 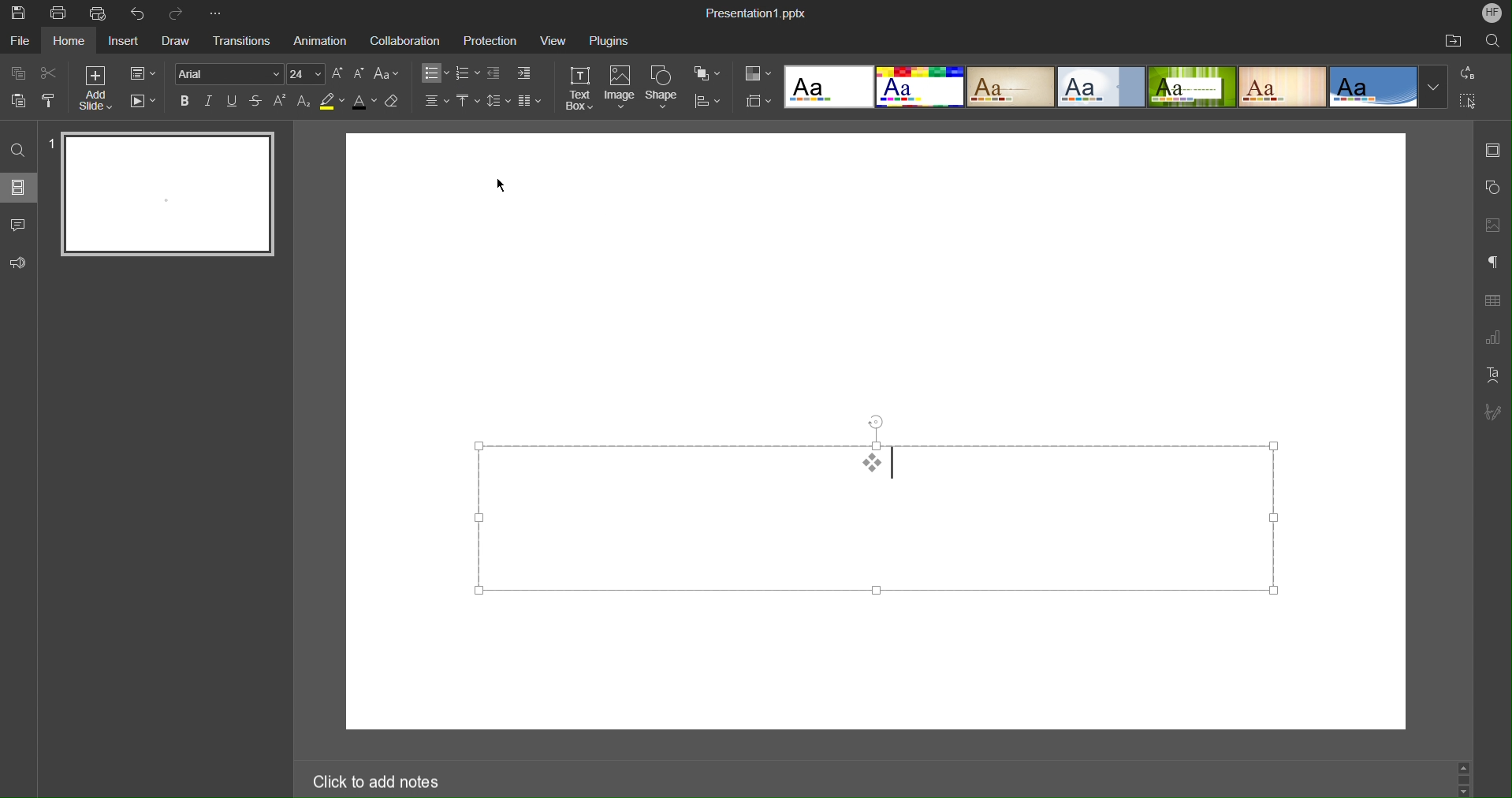 I want to click on Subscript, so click(x=302, y=101).